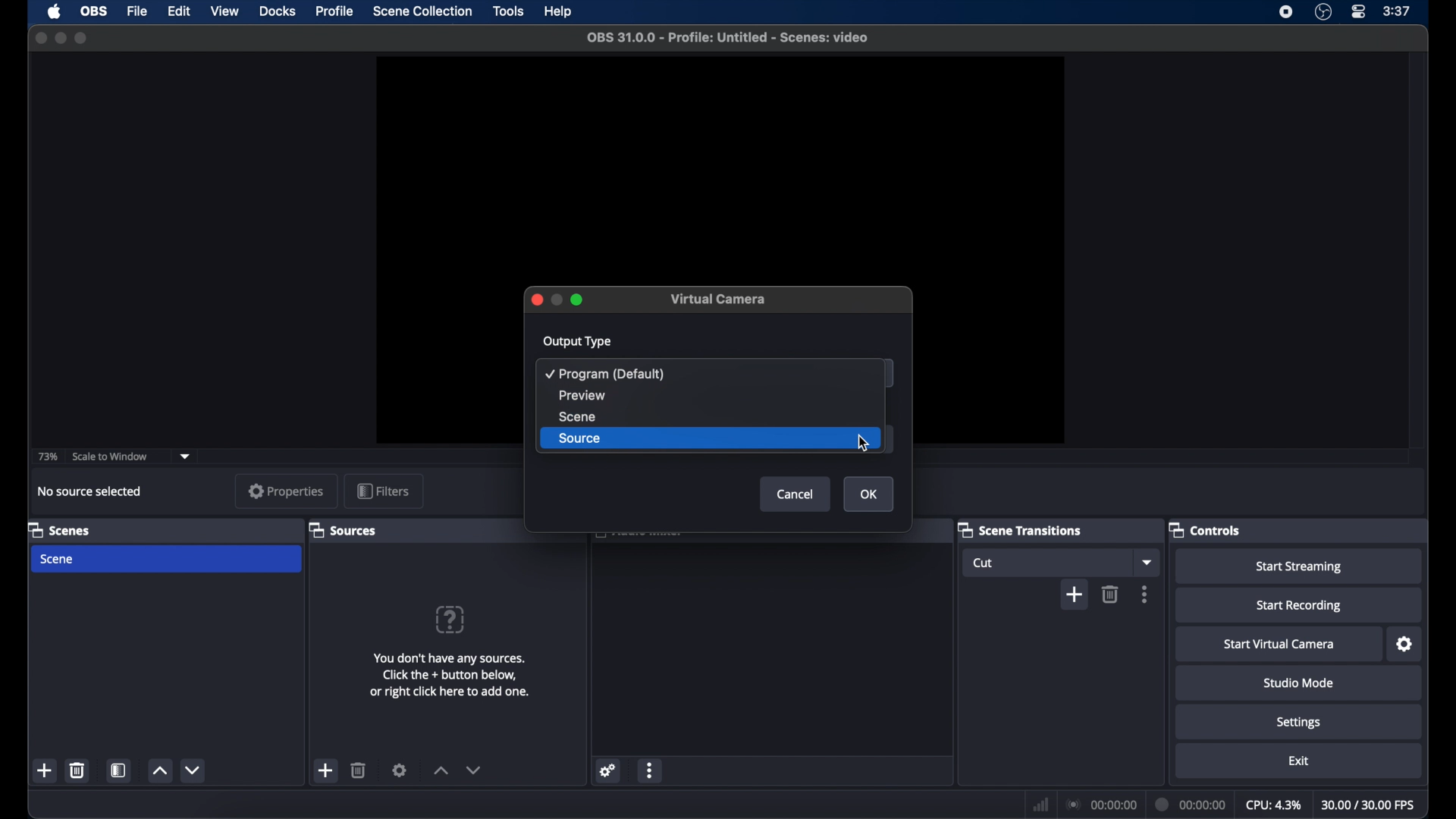 The width and height of the screenshot is (1456, 819). I want to click on output type, so click(577, 342).